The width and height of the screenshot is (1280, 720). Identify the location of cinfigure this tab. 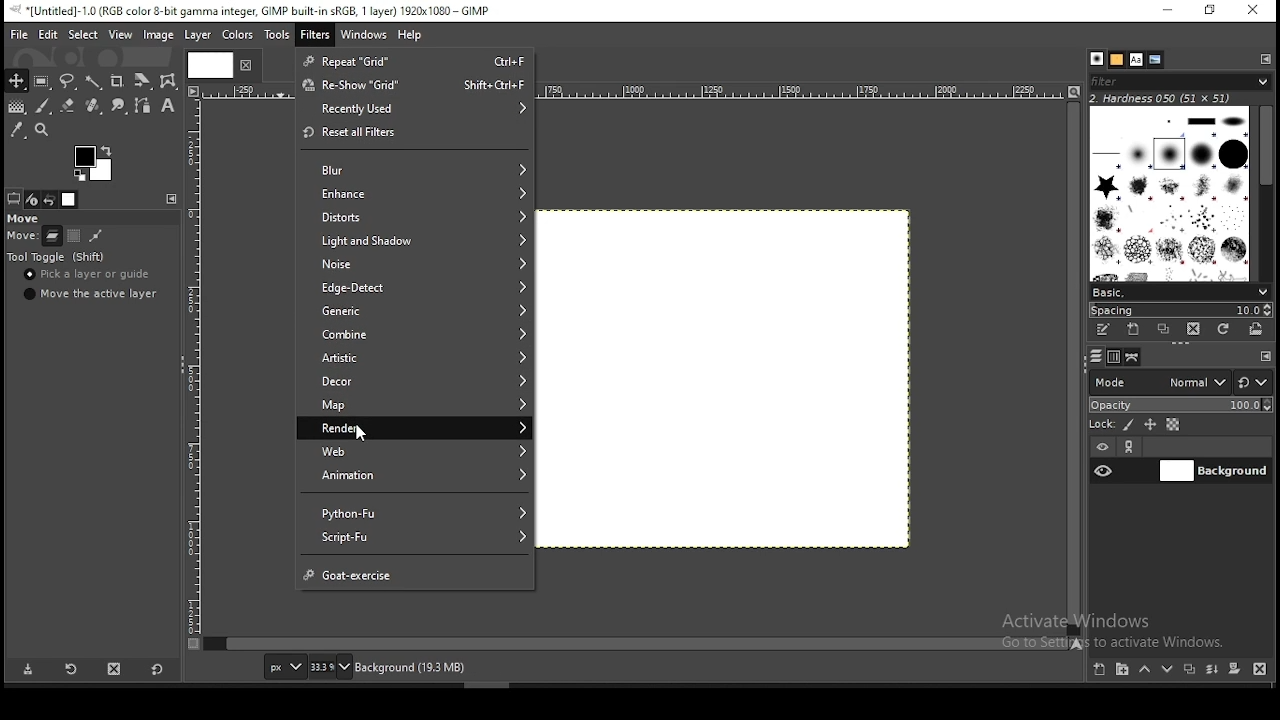
(173, 199).